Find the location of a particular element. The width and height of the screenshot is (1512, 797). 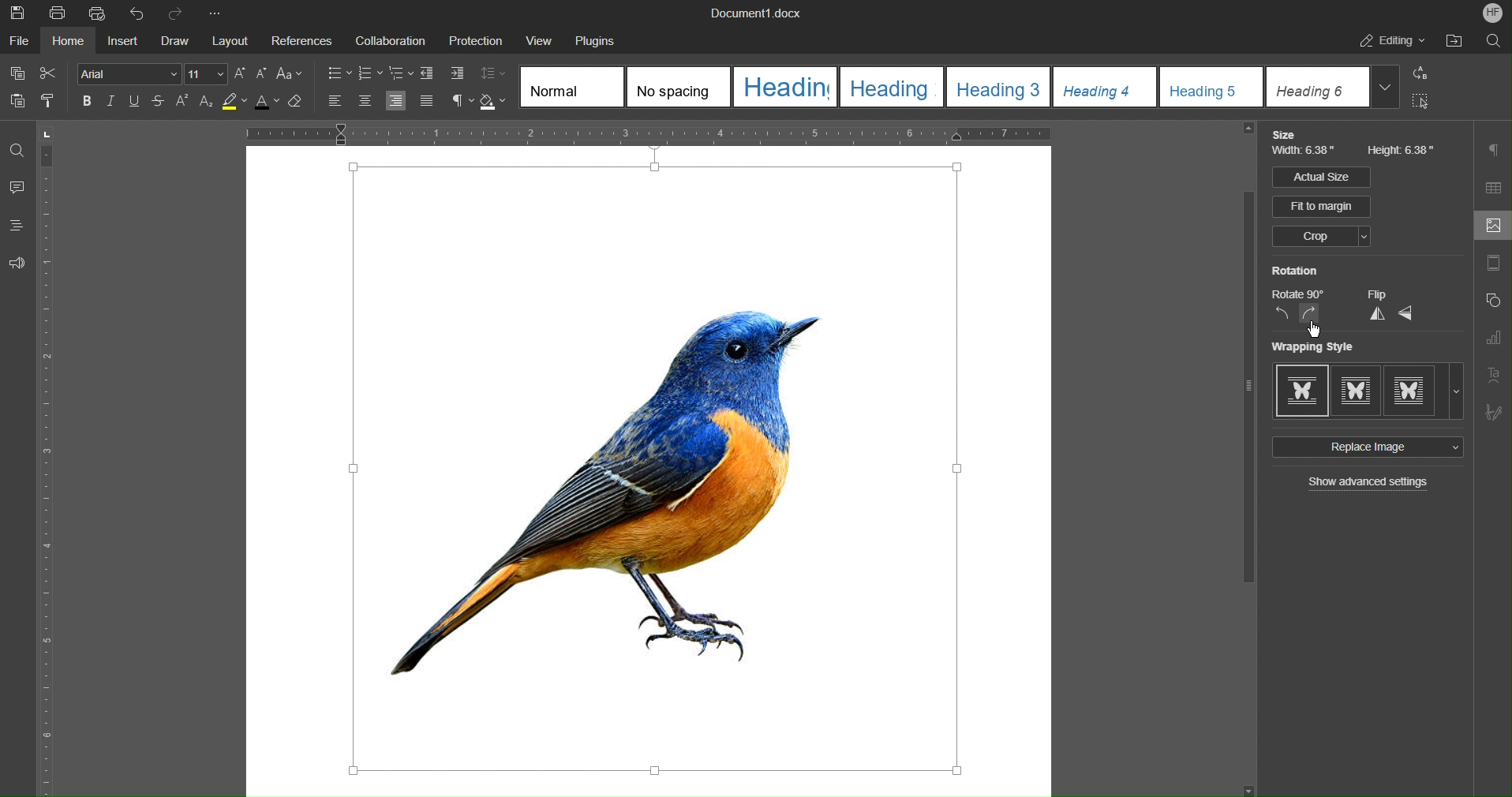

Image Settings is located at coordinates (1493, 226).